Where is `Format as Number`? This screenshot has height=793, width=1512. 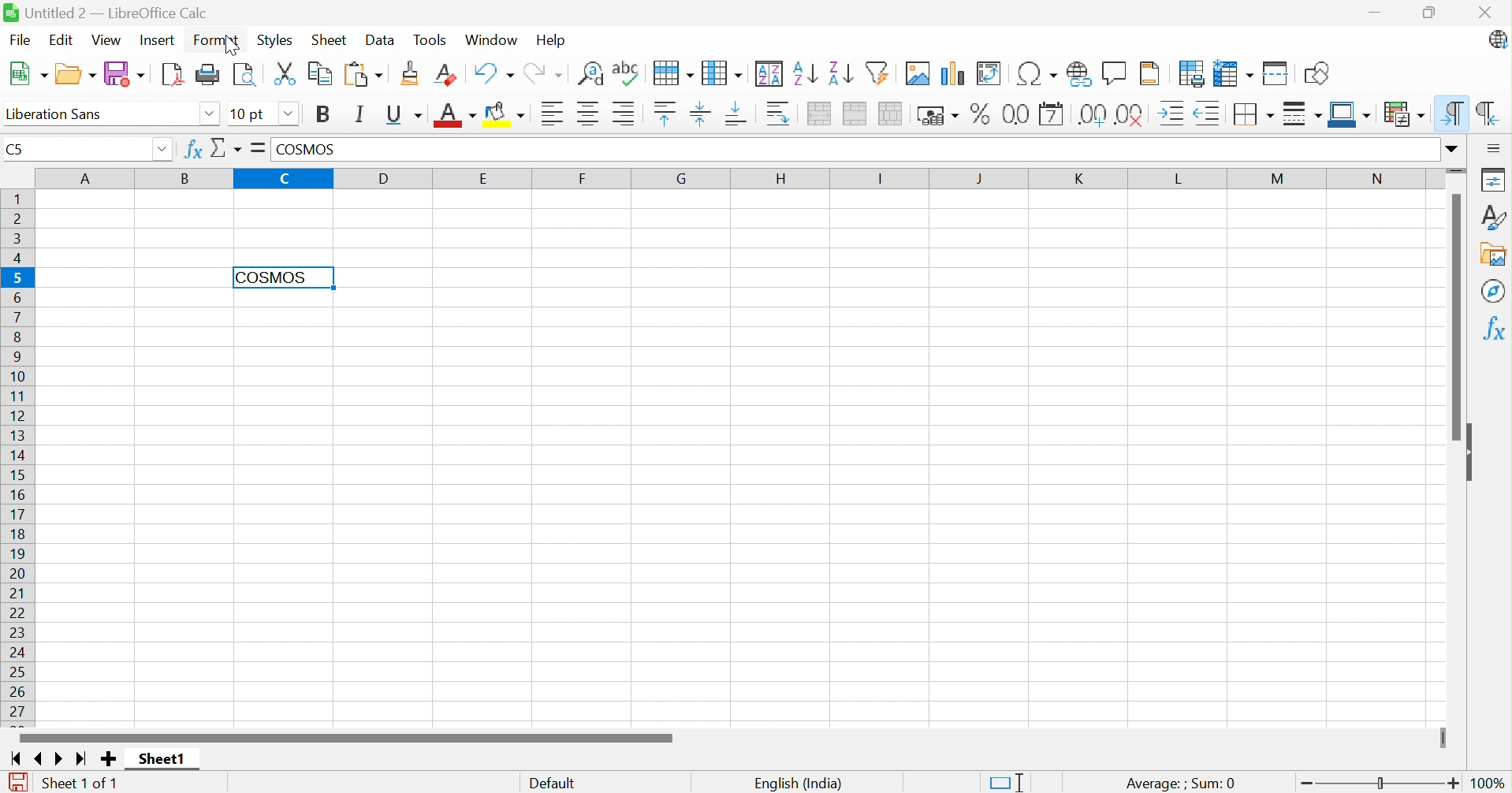 Format as Number is located at coordinates (1015, 114).